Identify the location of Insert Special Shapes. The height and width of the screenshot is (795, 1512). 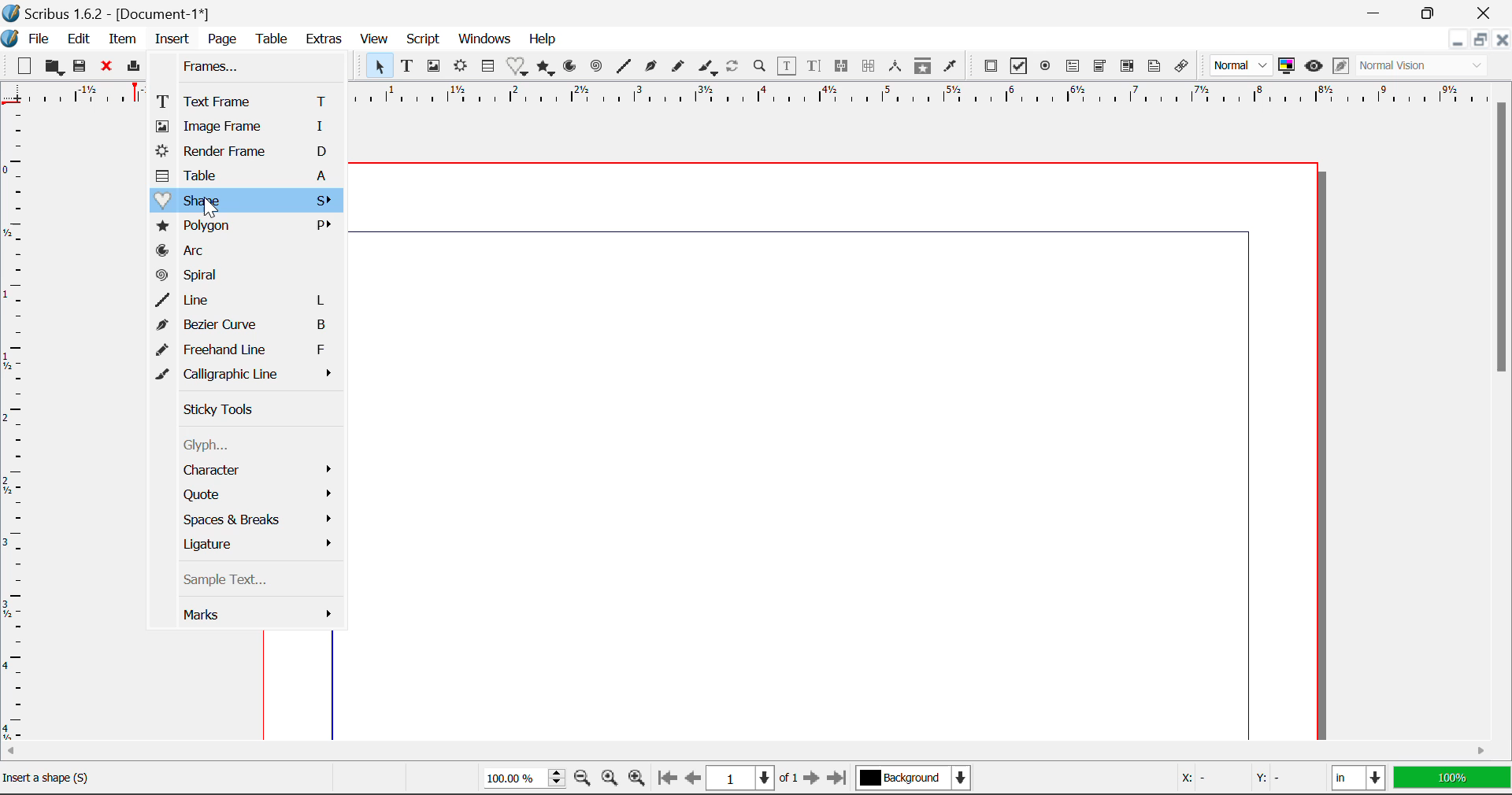
(518, 68).